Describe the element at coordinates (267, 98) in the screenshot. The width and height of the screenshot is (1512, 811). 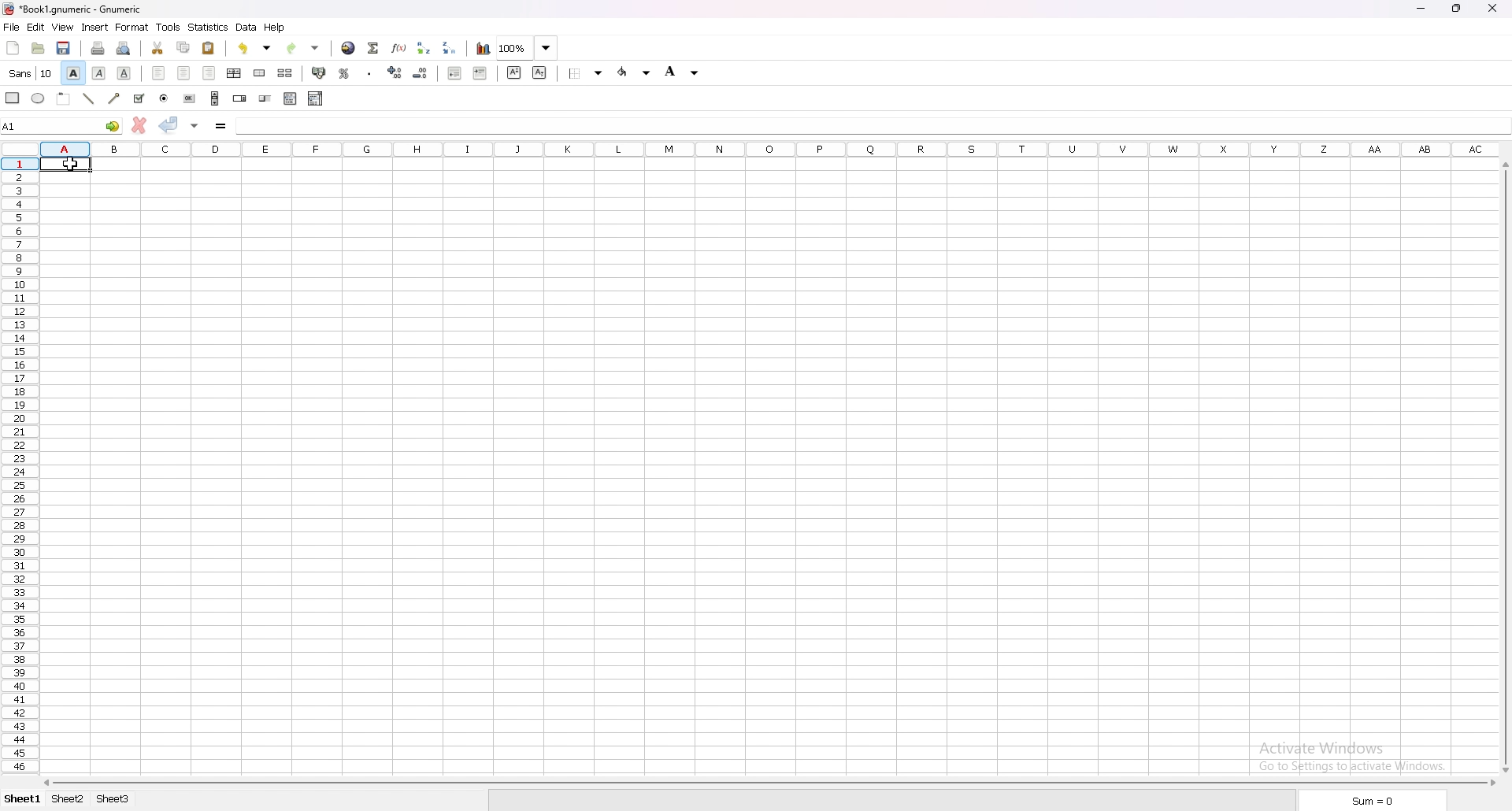
I see `slider` at that location.